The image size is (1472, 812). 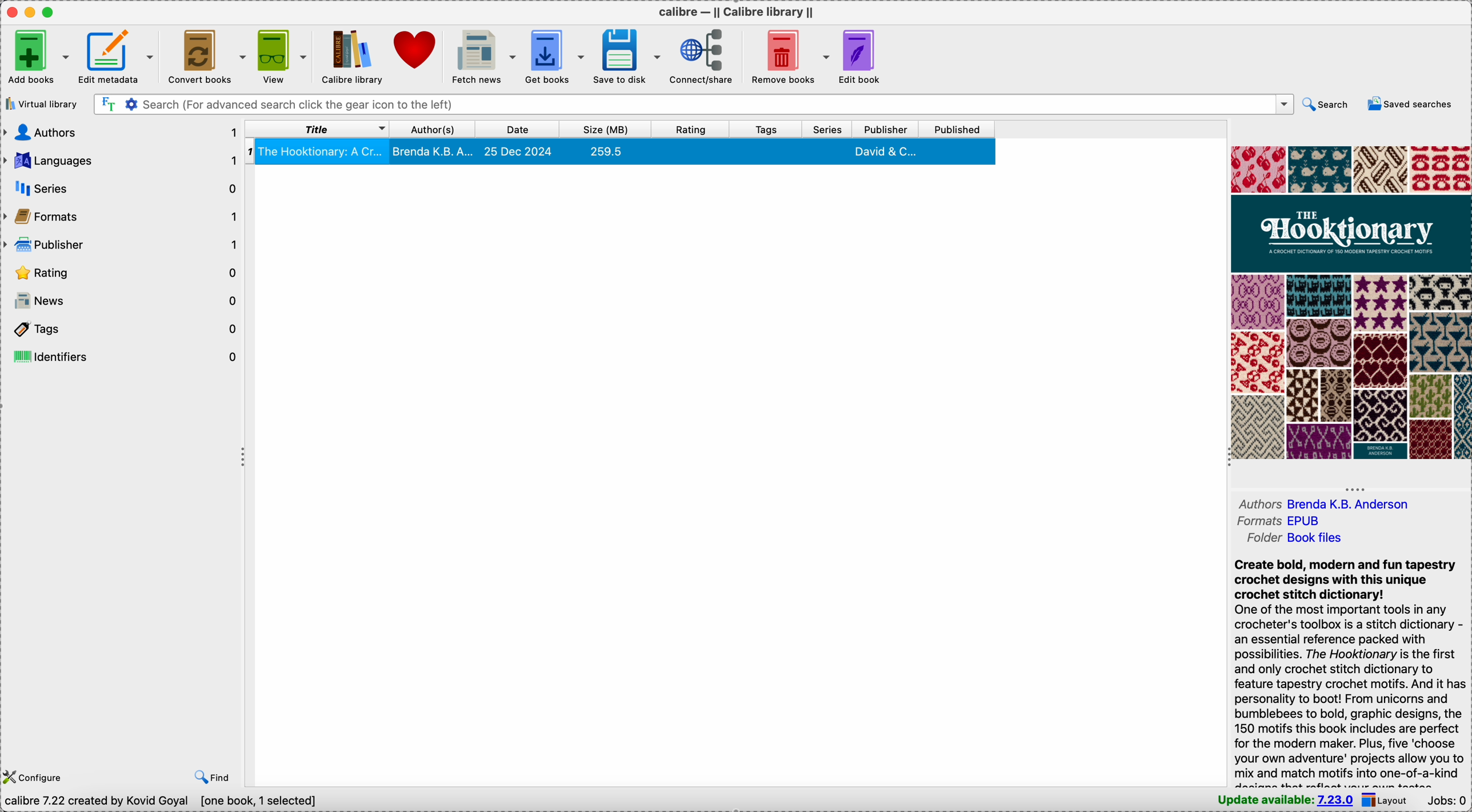 What do you see at coordinates (1387, 800) in the screenshot?
I see `layout` at bounding box center [1387, 800].